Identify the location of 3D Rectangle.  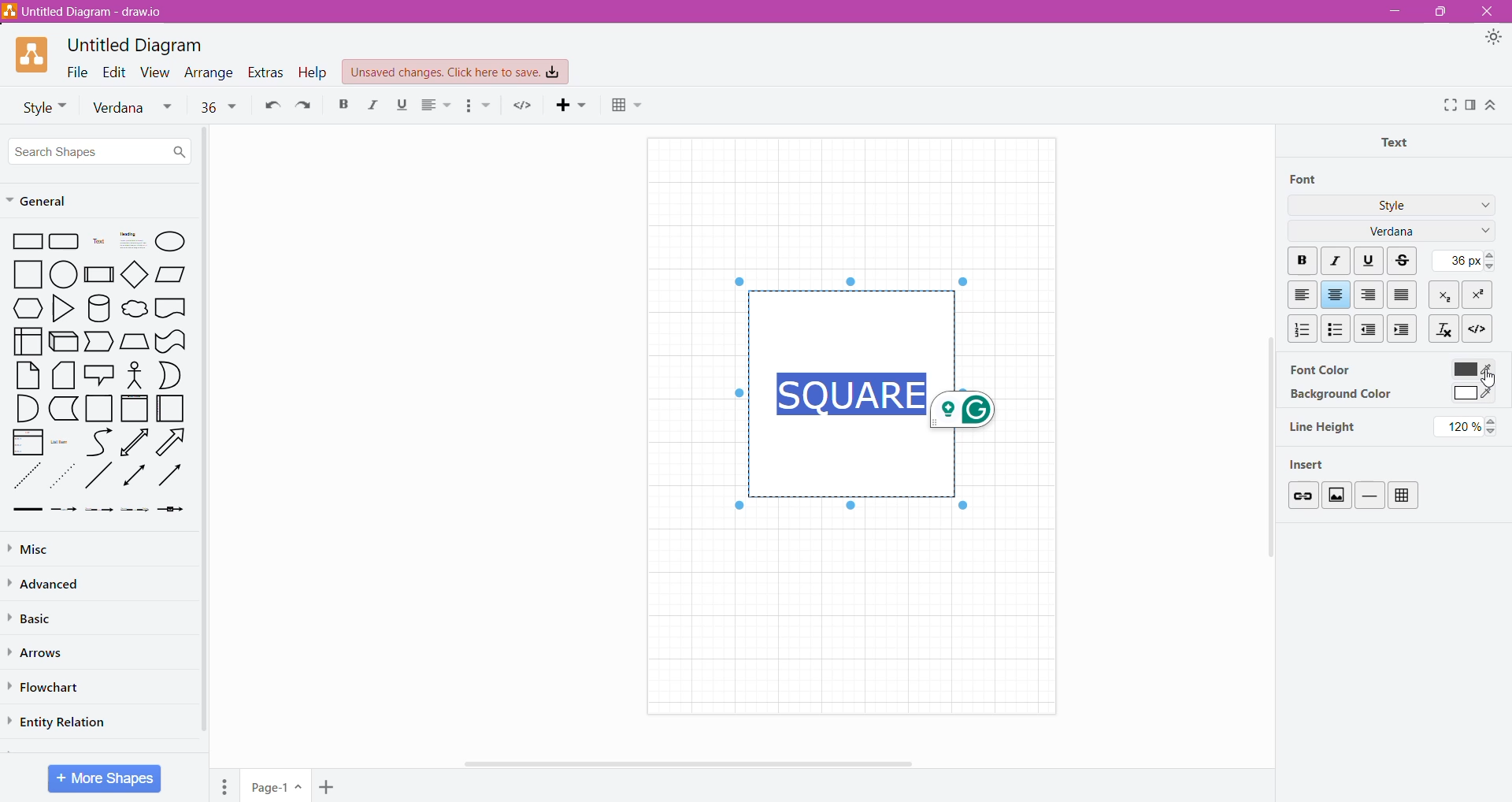
(63, 340).